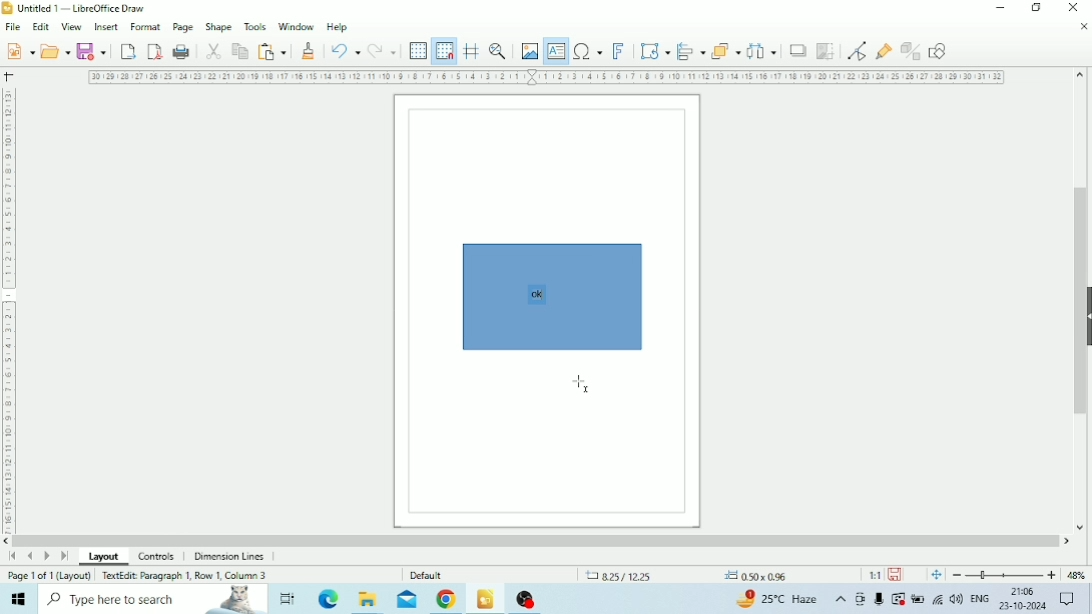 The width and height of the screenshot is (1092, 614). I want to click on Horizontal scrollbar, so click(536, 541).